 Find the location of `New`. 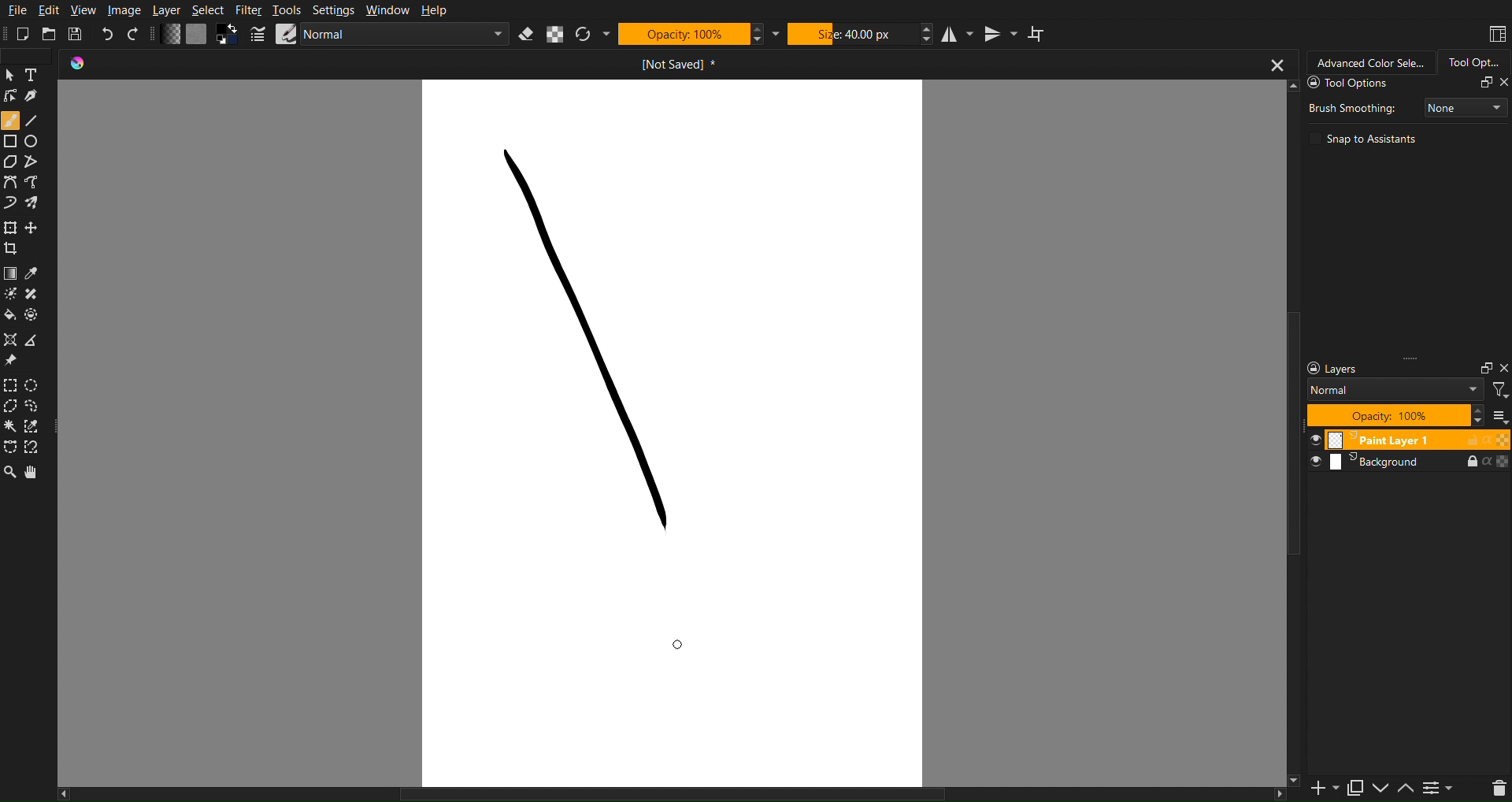

New is located at coordinates (23, 34).